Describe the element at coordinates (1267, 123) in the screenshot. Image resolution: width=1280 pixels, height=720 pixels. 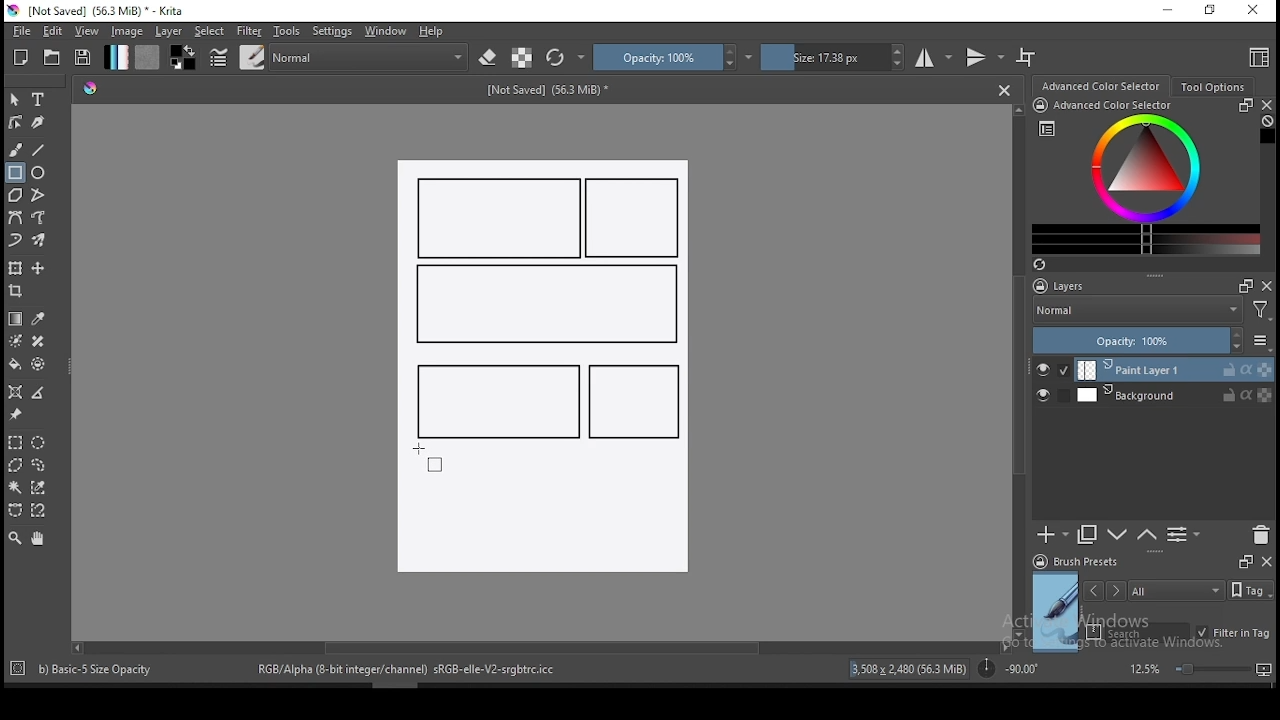
I see `Clear` at that location.